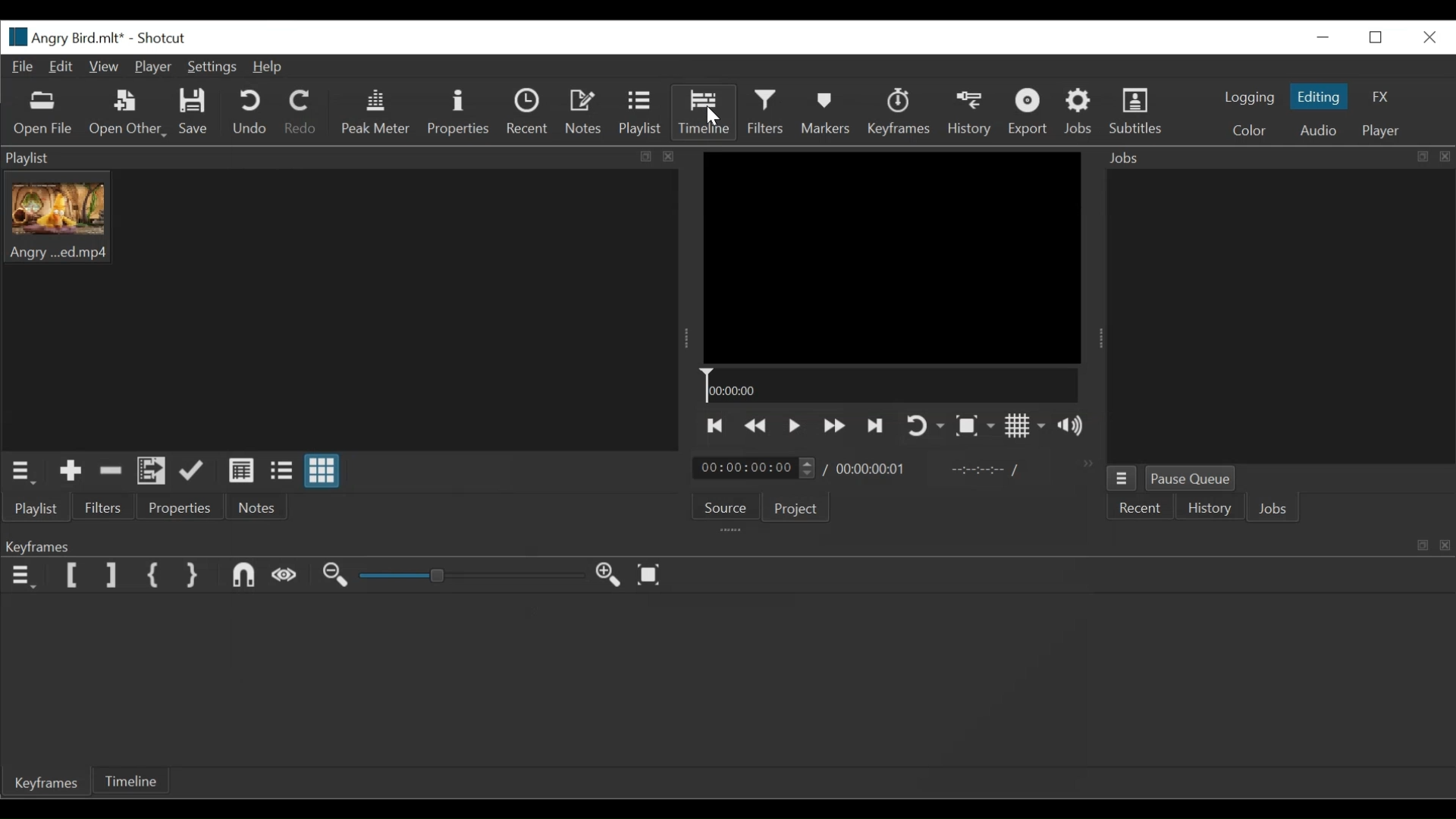 This screenshot has width=1456, height=819. I want to click on In point, so click(977, 471).